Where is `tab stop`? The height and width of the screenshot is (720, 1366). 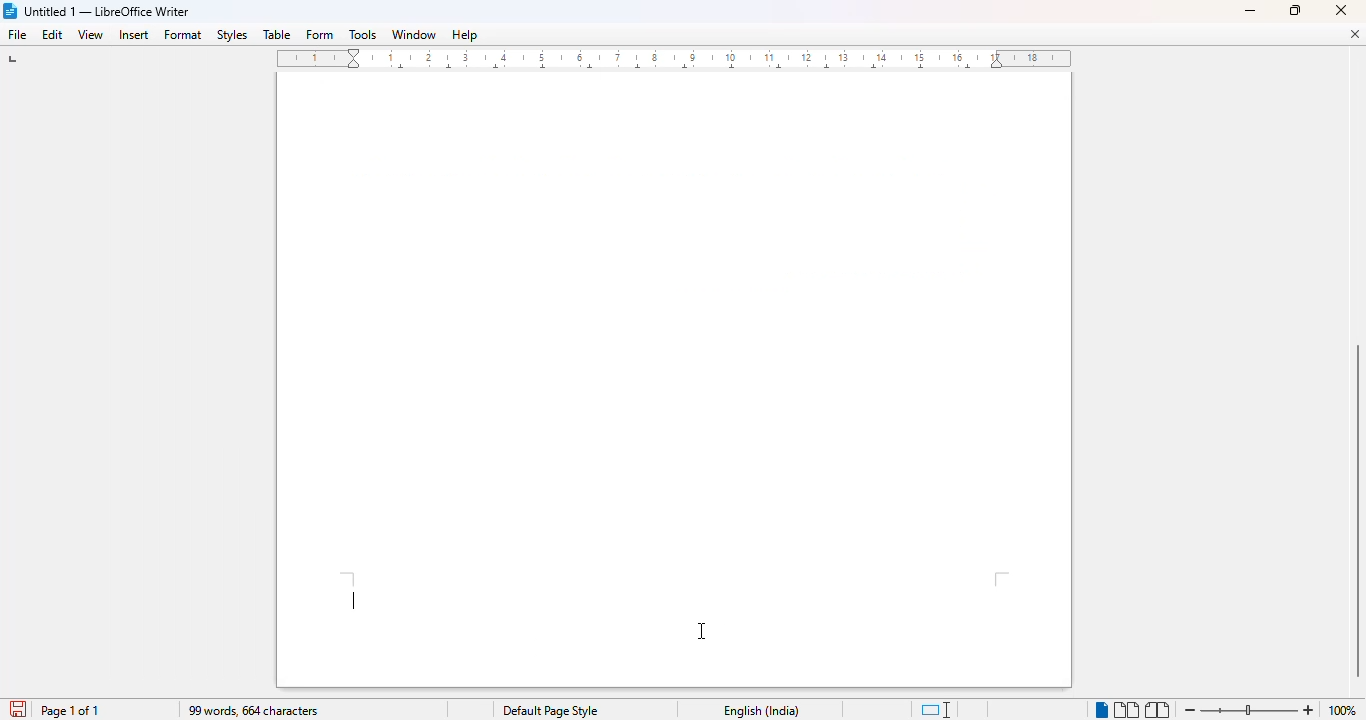 tab stop is located at coordinates (15, 61).